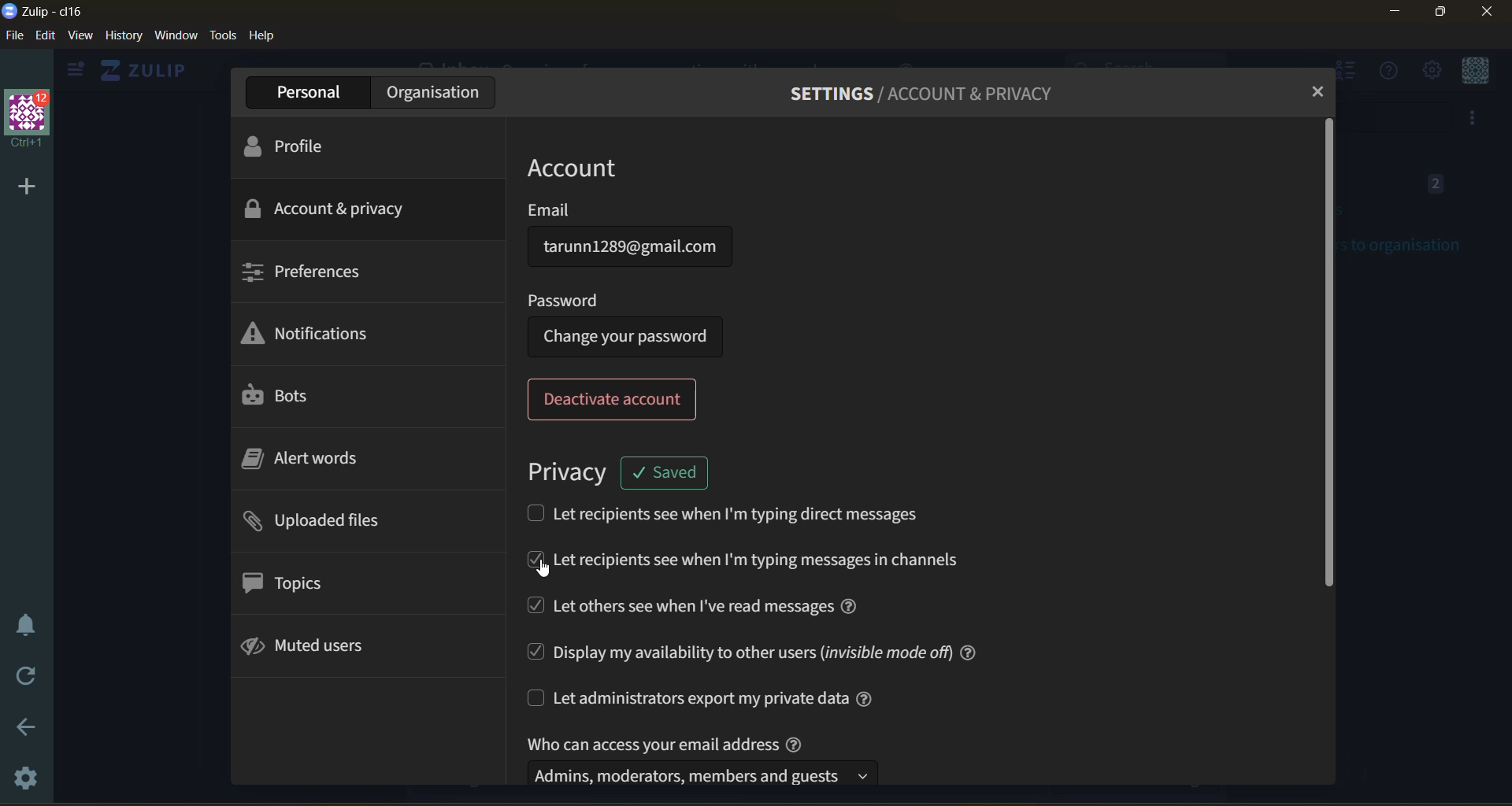 The image size is (1512, 806). Describe the element at coordinates (28, 677) in the screenshot. I see `reload` at that location.